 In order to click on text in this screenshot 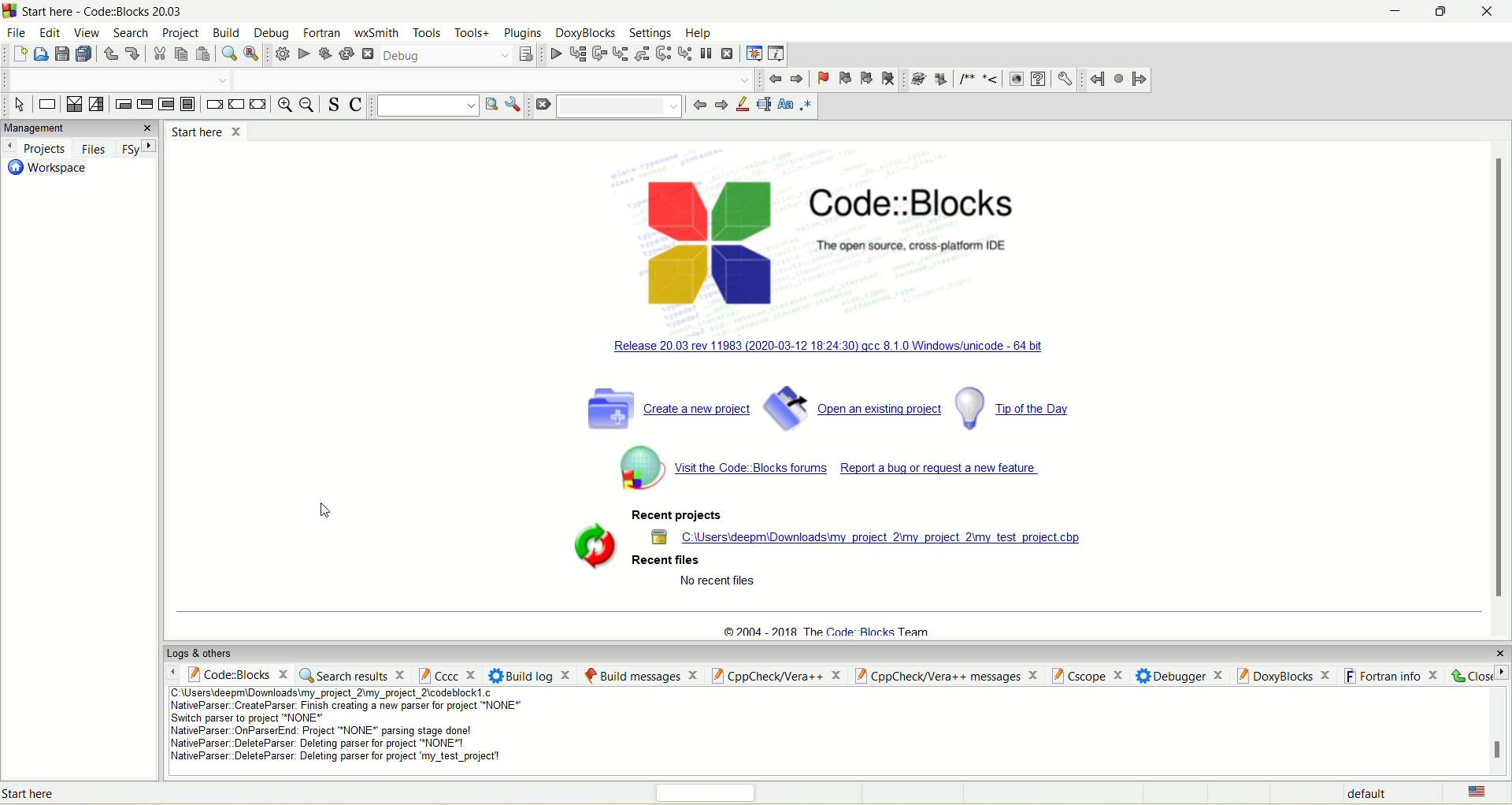, I will do `click(347, 728)`.